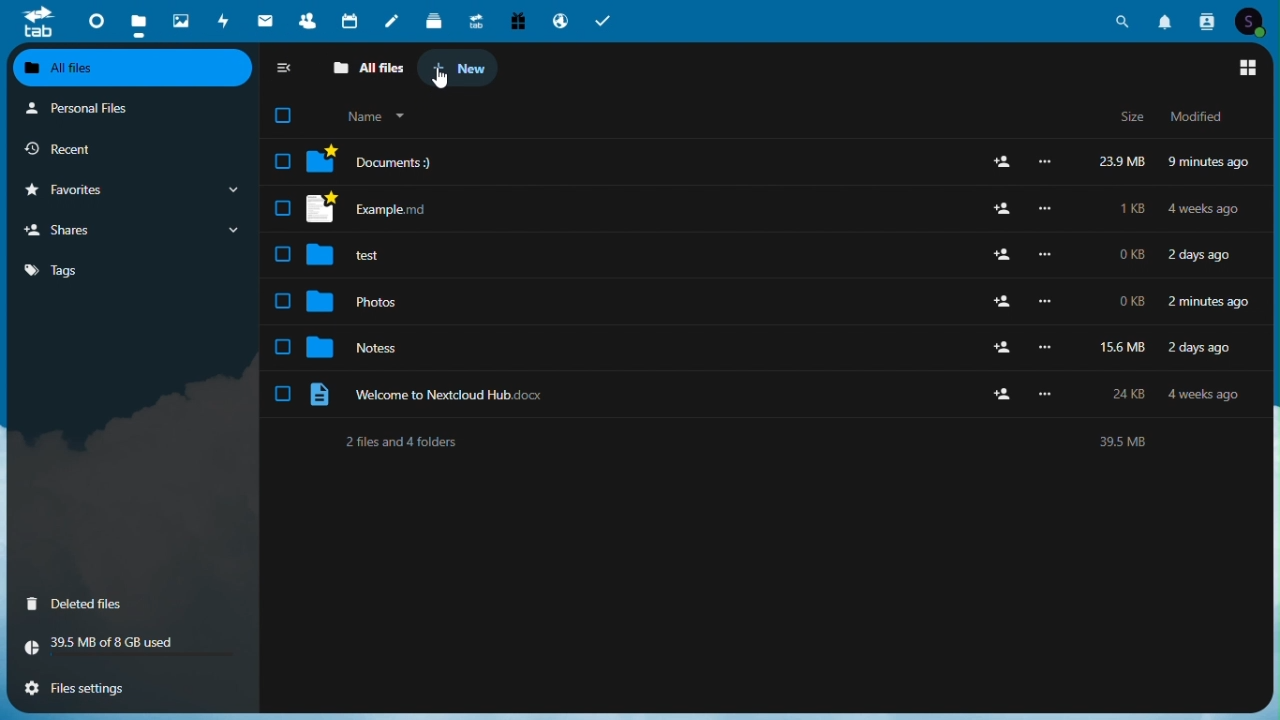  What do you see at coordinates (1249, 72) in the screenshot?
I see `` at bounding box center [1249, 72].